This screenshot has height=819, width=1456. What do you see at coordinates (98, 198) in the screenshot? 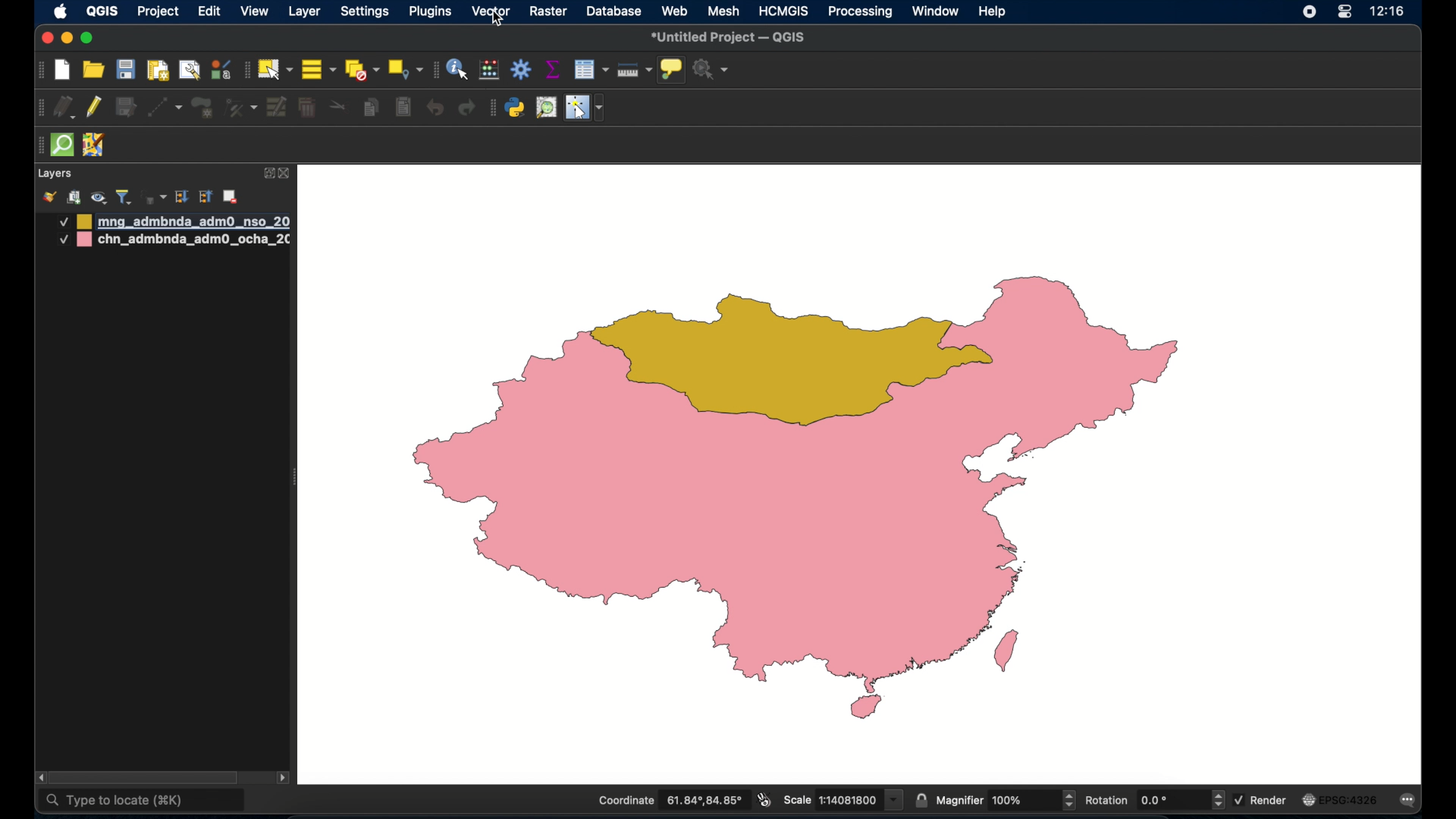
I see `manage map theme` at bounding box center [98, 198].